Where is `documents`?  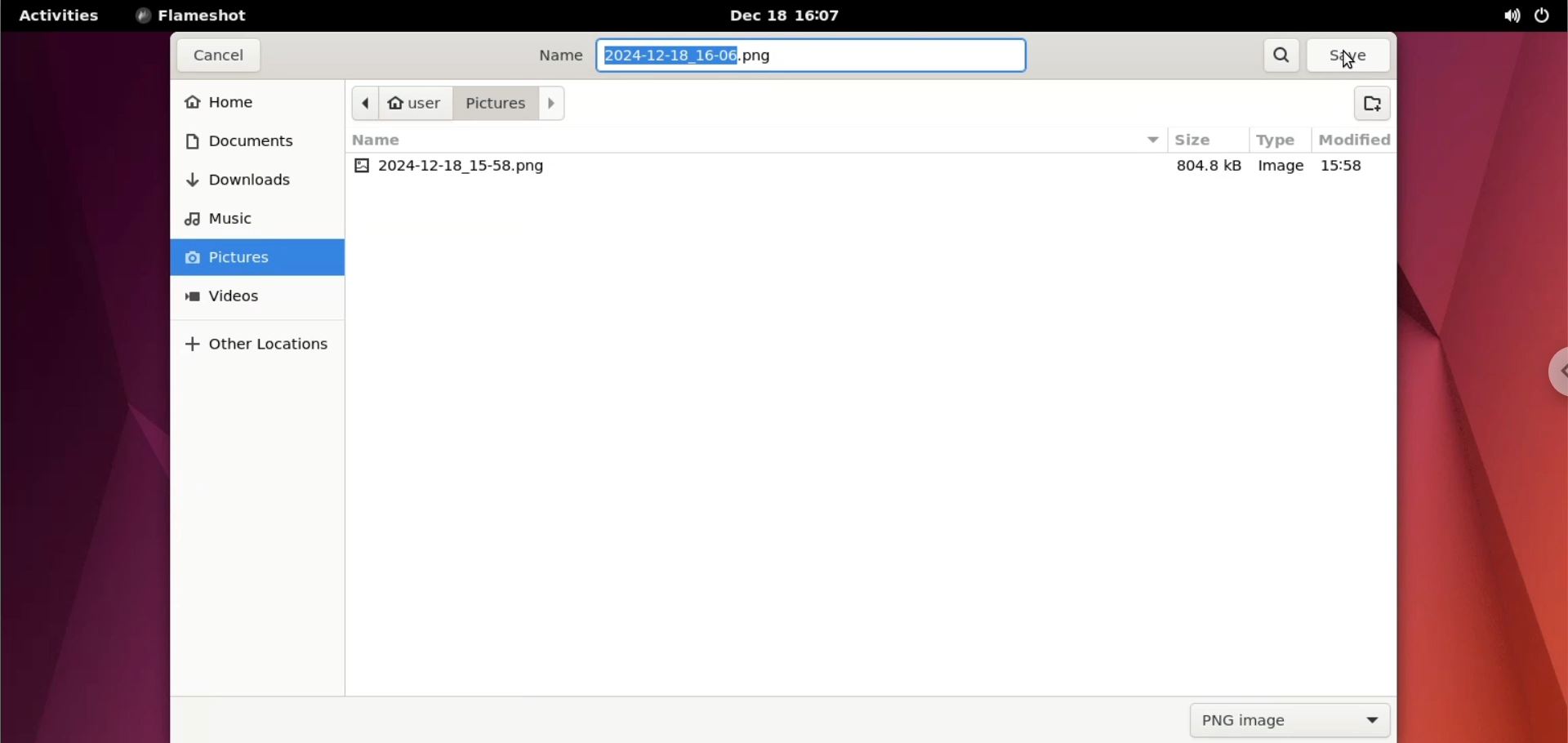 documents is located at coordinates (252, 141).